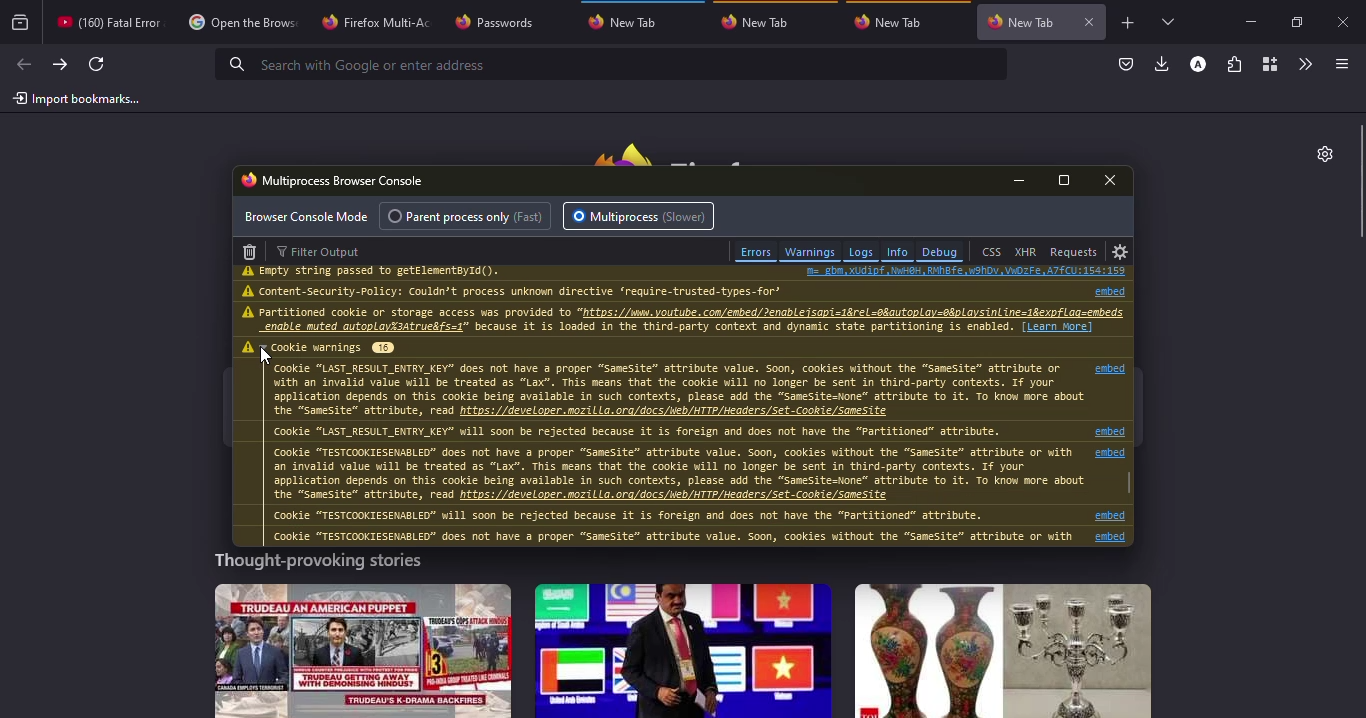  What do you see at coordinates (1197, 64) in the screenshot?
I see `profile` at bounding box center [1197, 64].